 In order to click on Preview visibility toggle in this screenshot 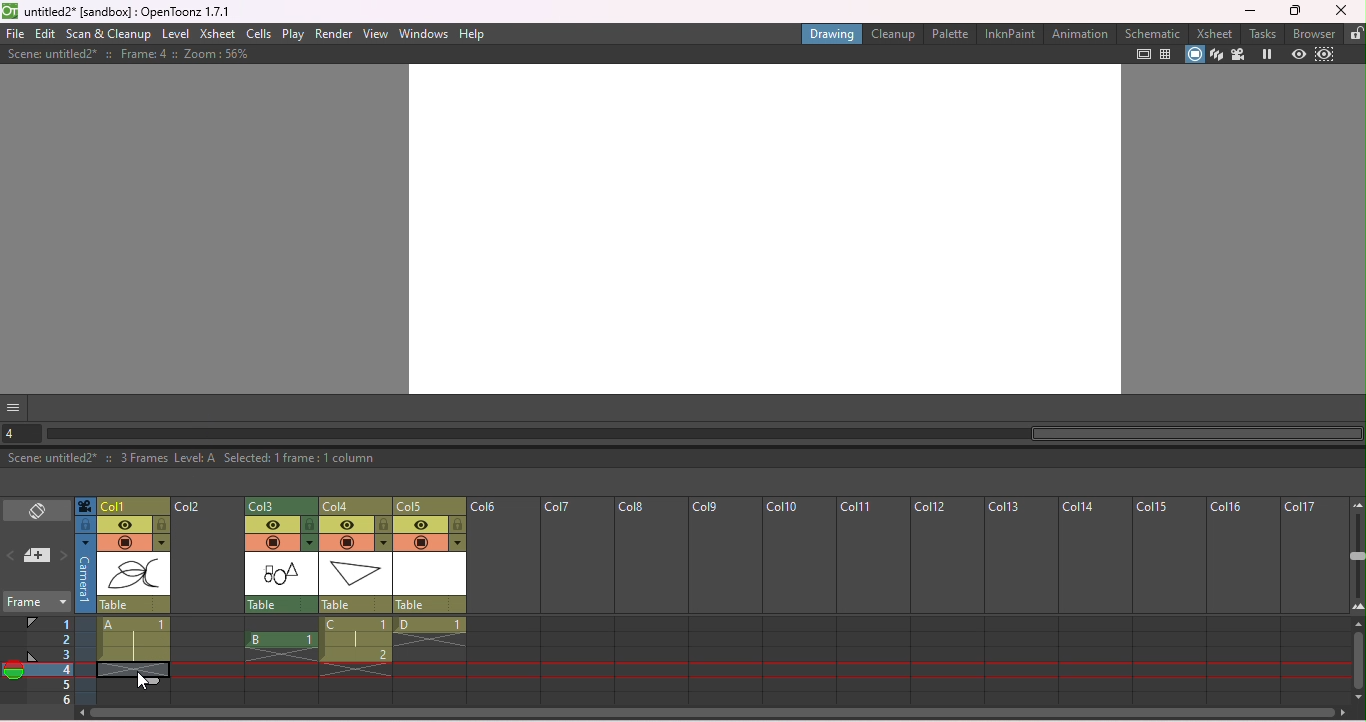, I will do `click(421, 525)`.